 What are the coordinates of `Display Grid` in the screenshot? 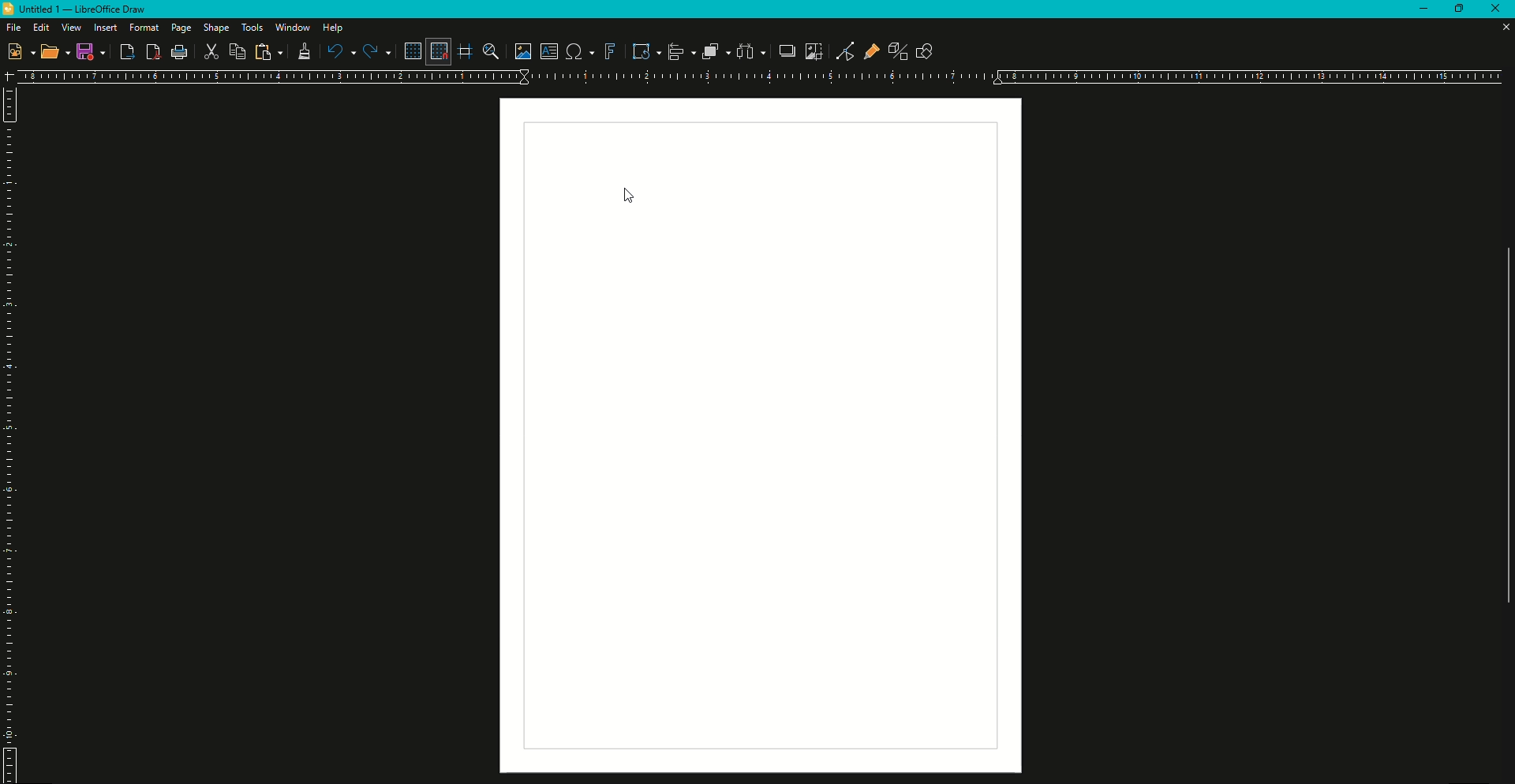 It's located at (412, 52).